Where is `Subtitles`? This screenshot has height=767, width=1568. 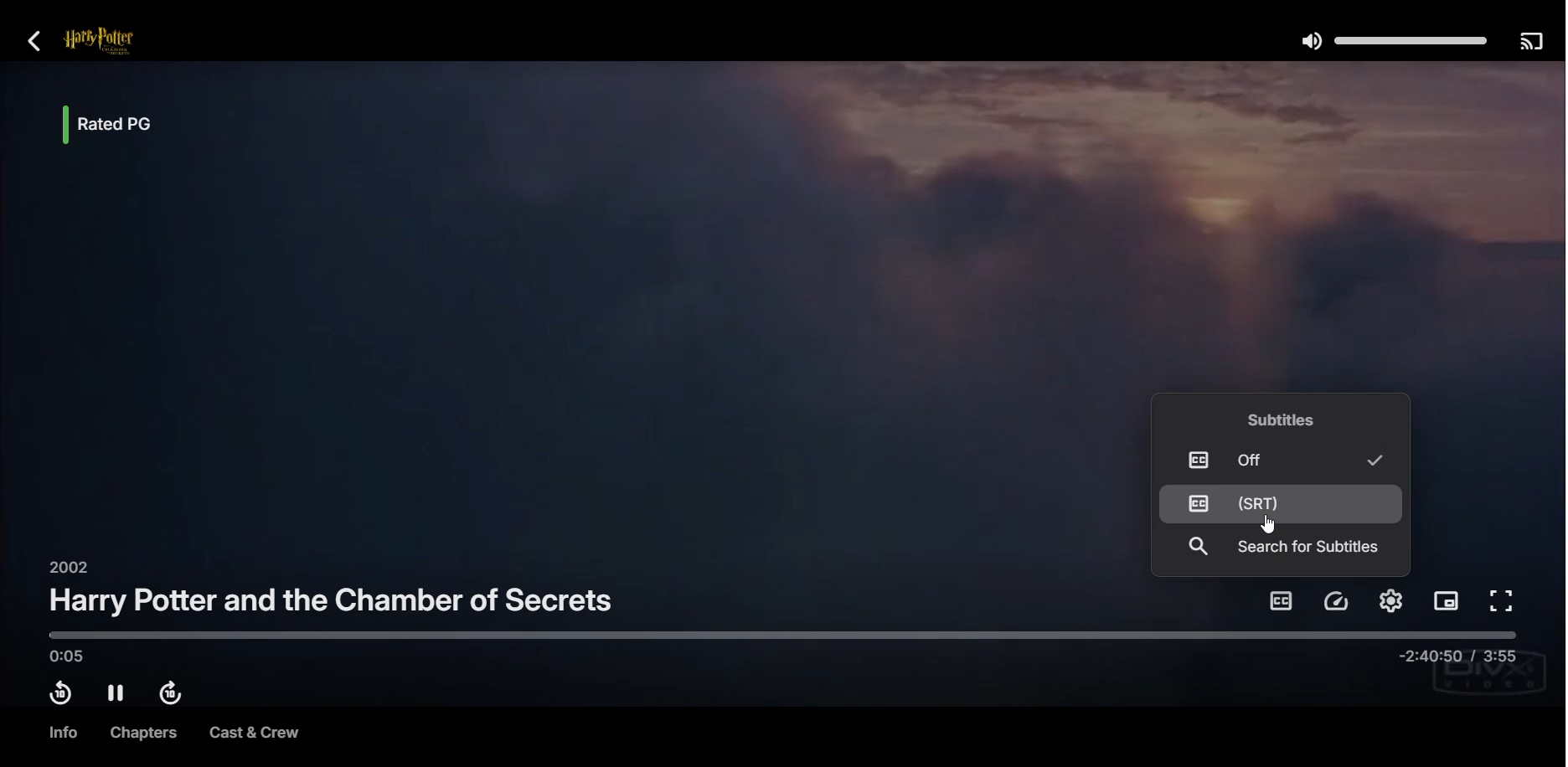 Subtitles is located at coordinates (1287, 419).